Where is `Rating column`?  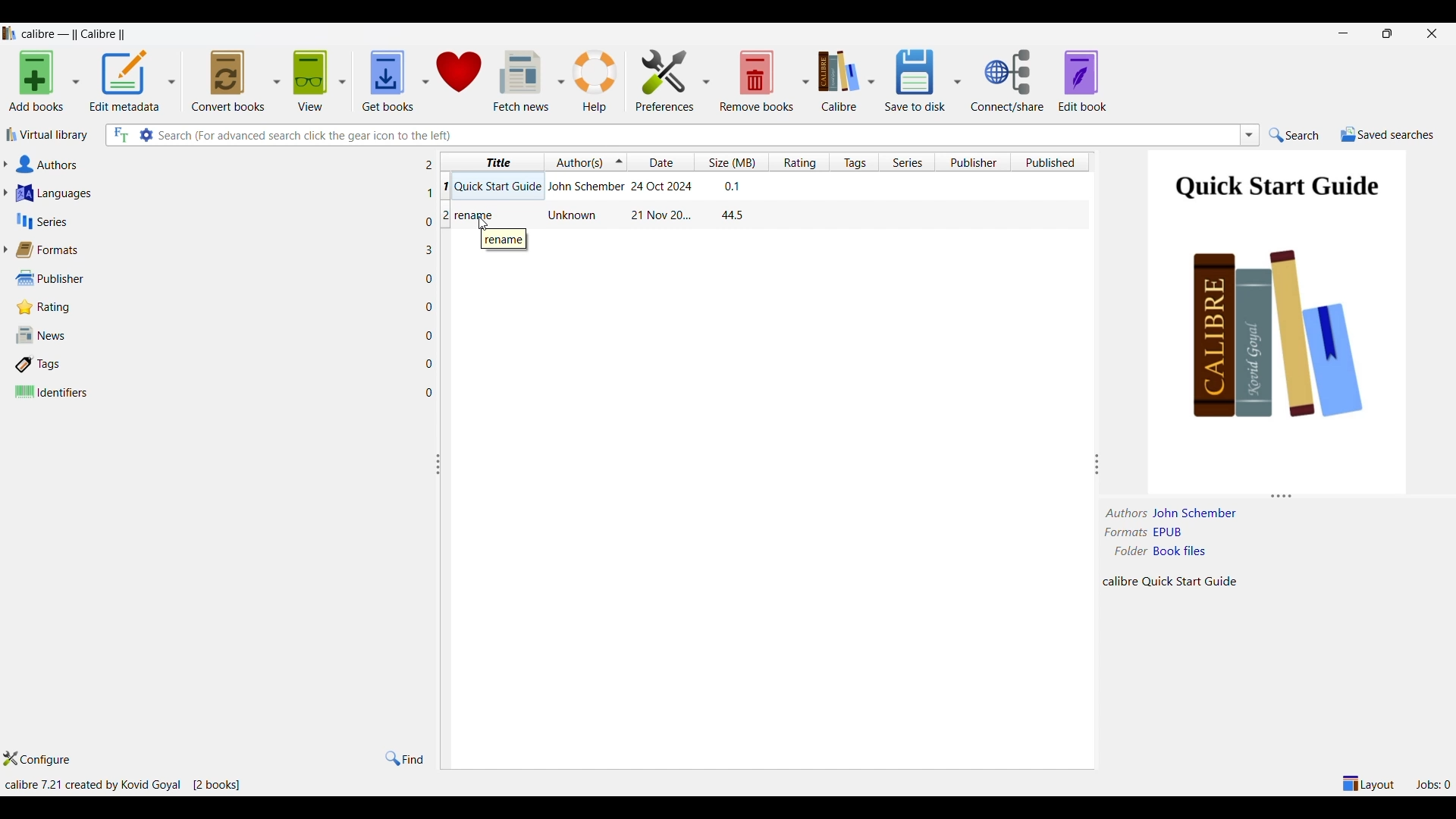
Rating column is located at coordinates (798, 162).